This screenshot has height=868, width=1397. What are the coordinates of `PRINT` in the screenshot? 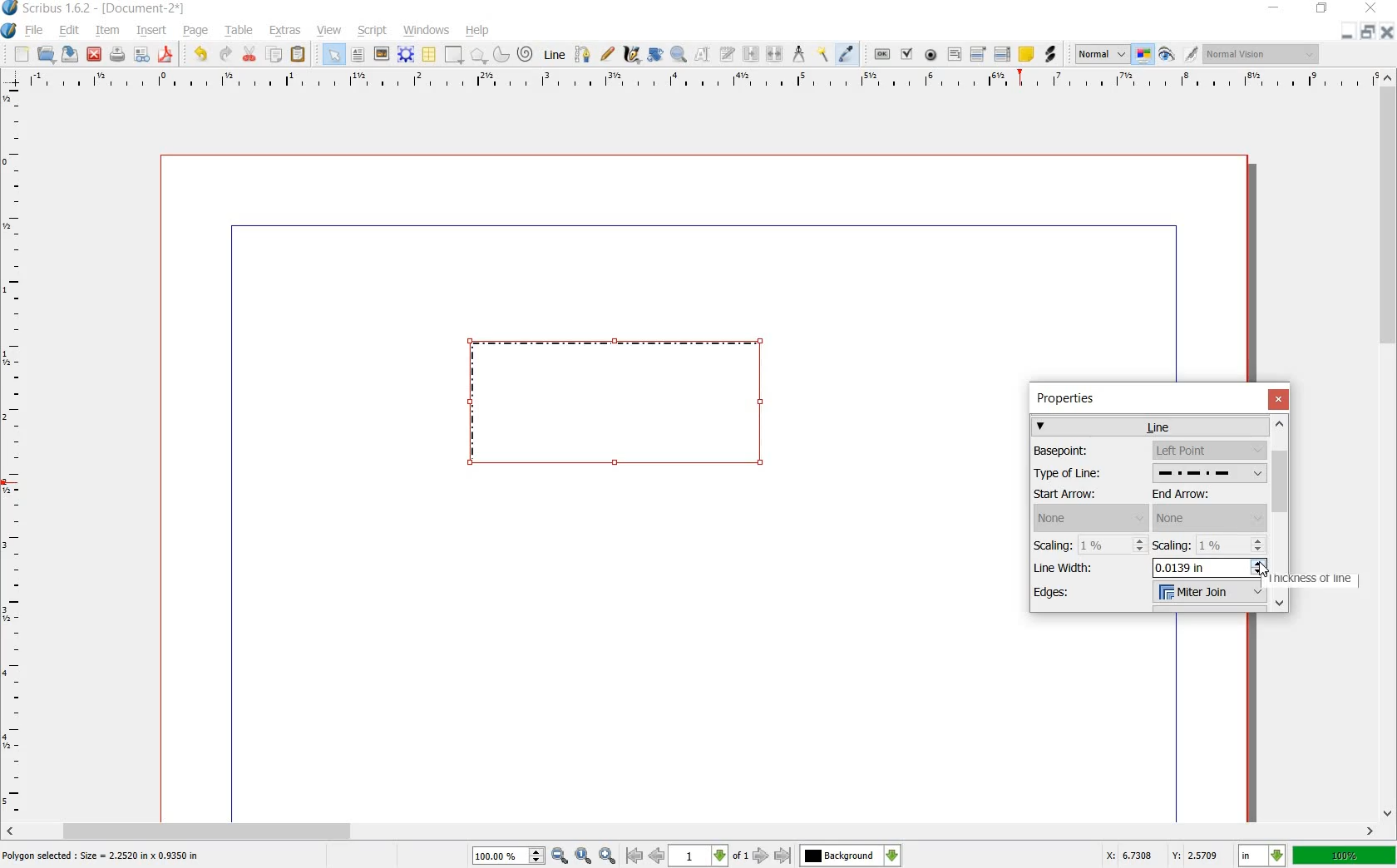 It's located at (117, 55).